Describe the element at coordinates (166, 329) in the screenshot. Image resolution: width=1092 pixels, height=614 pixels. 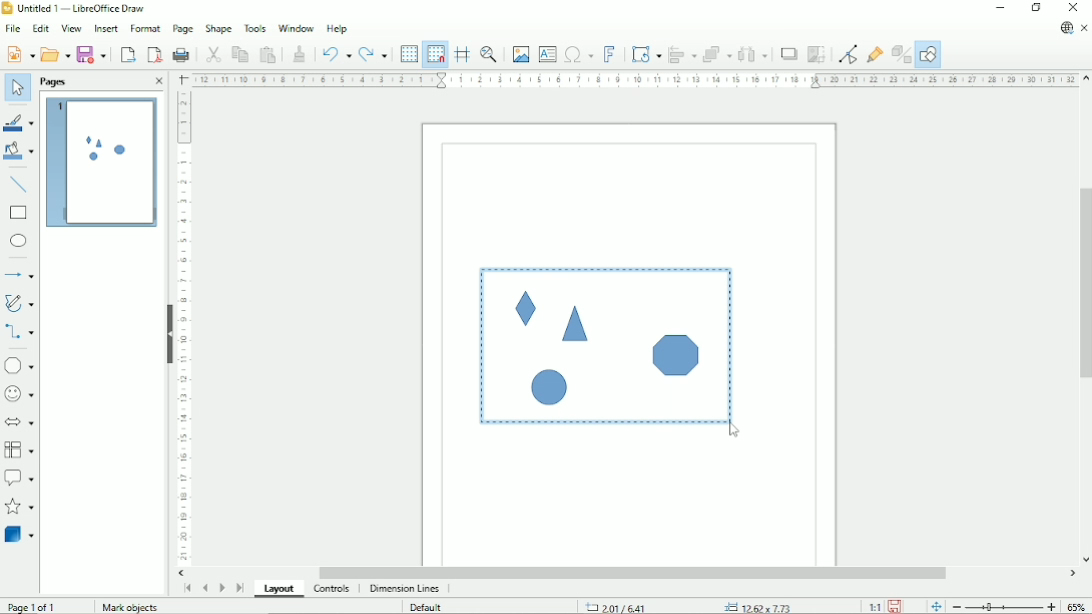
I see `Hide` at that location.